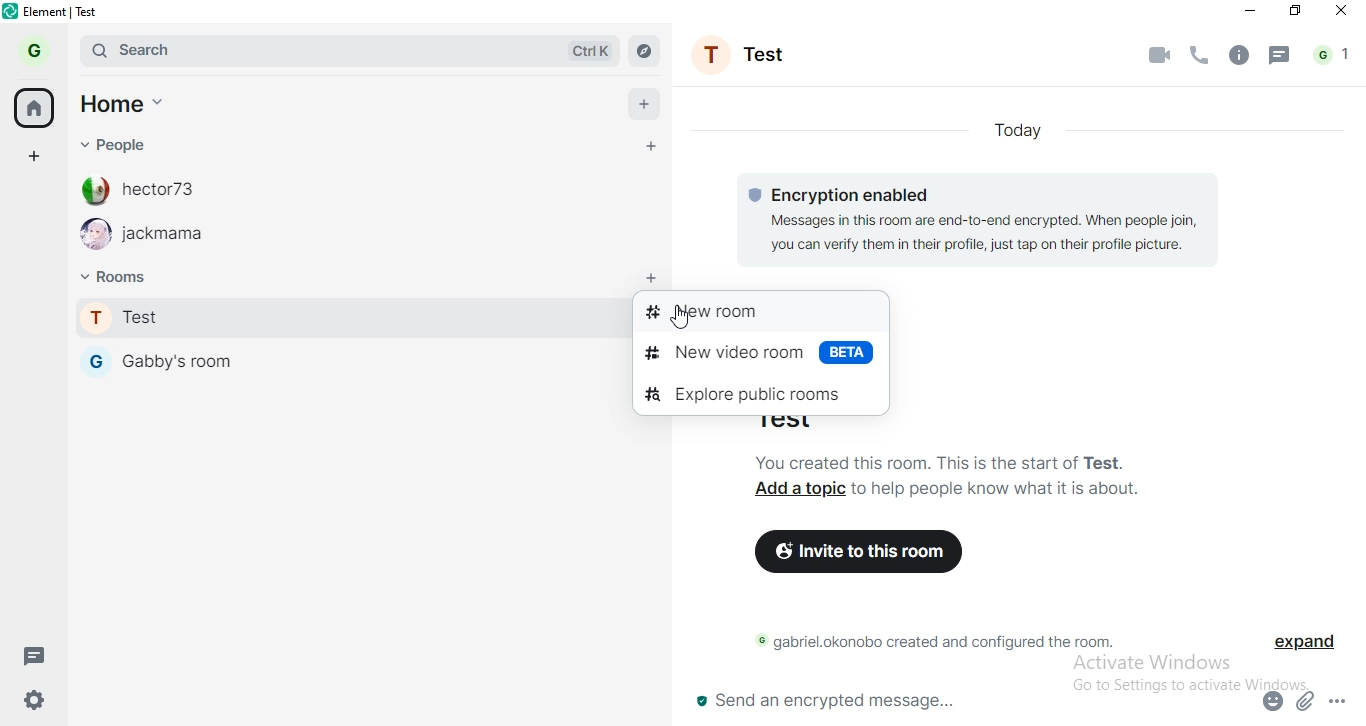  What do you see at coordinates (643, 103) in the screenshot?
I see `add` at bounding box center [643, 103].